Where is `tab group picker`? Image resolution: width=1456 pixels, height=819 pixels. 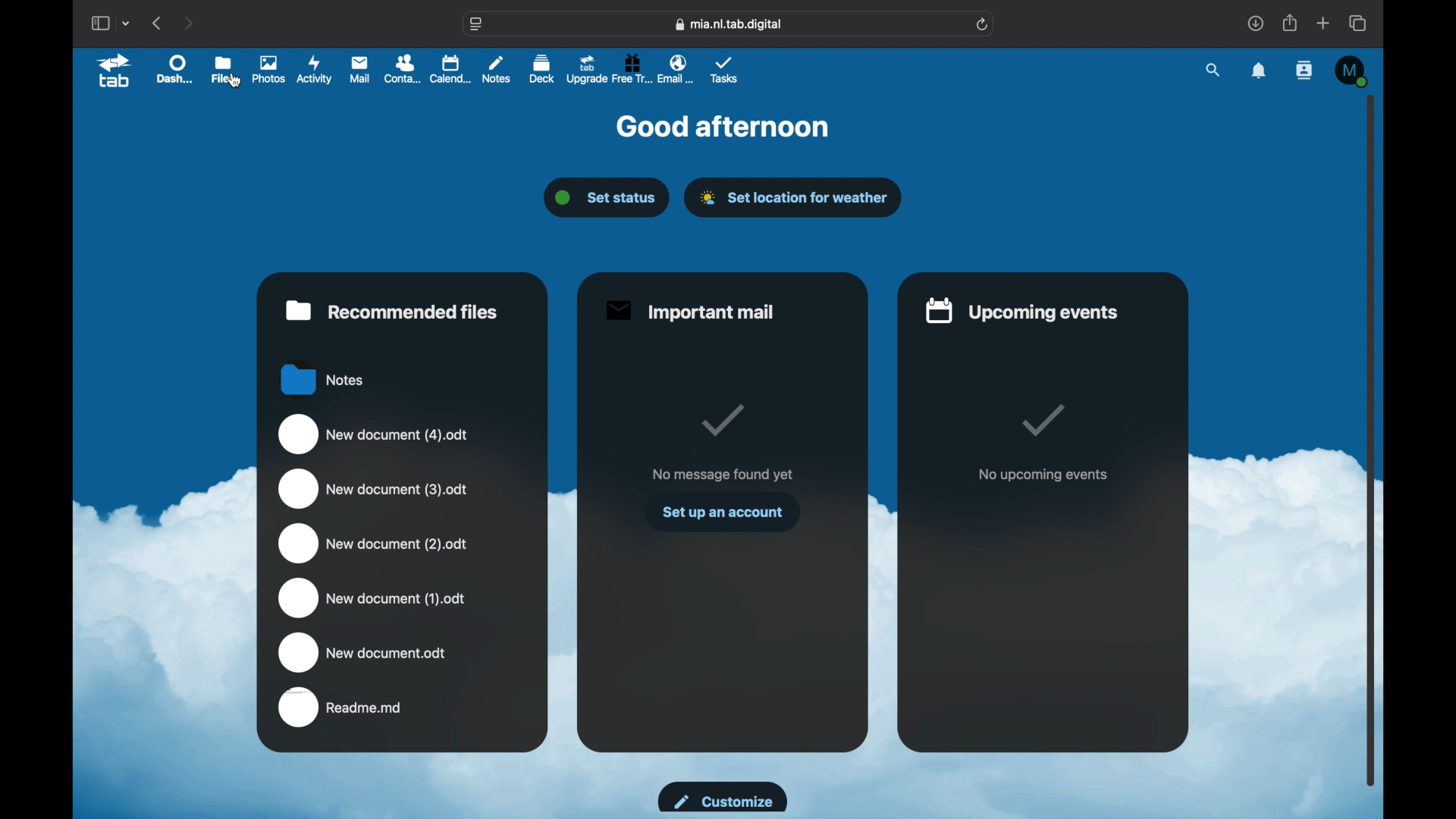 tab group picker is located at coordinates (127, 23).